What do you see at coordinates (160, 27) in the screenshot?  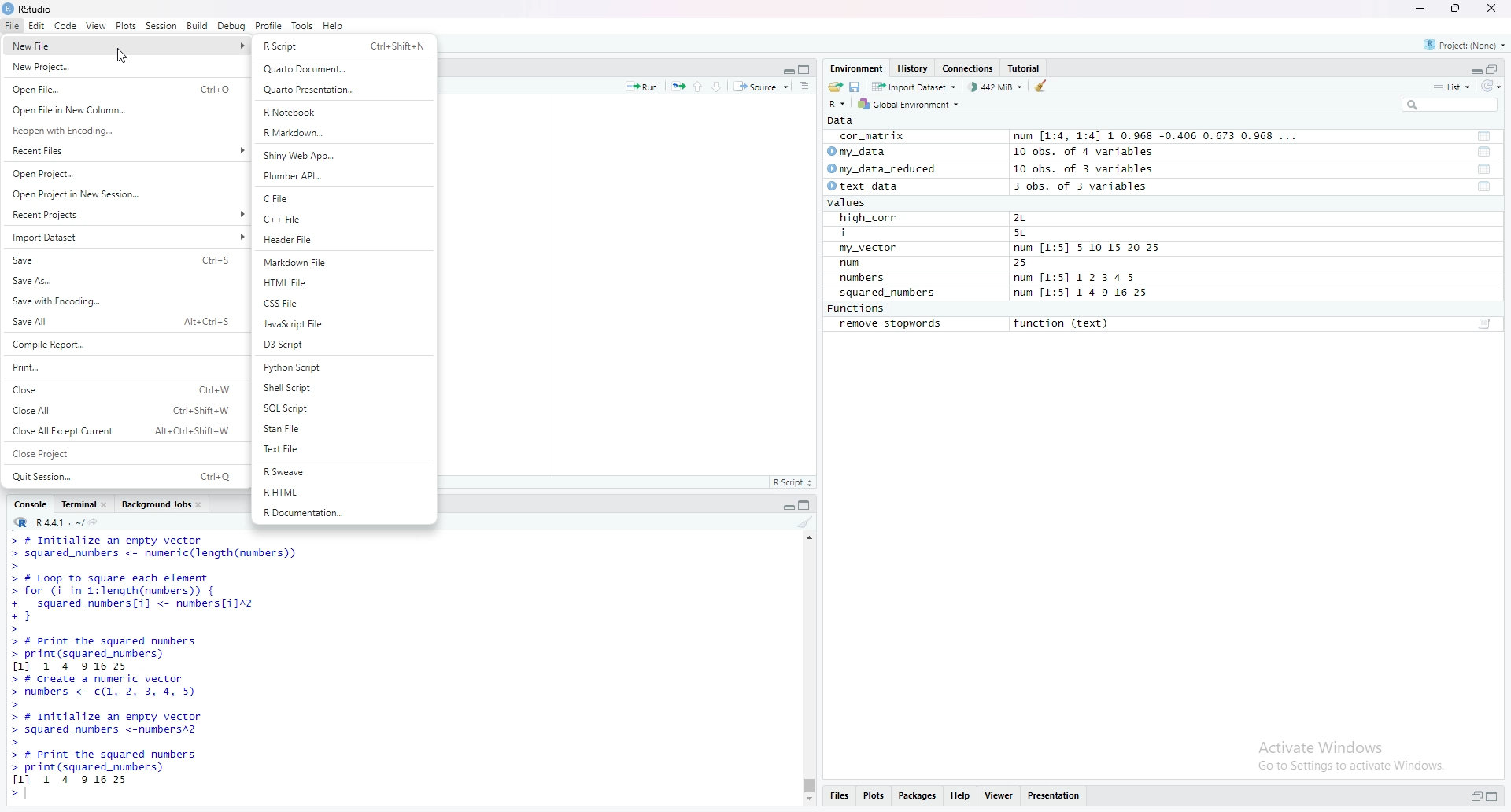 I see `Session` at bounding box center [160, 27].